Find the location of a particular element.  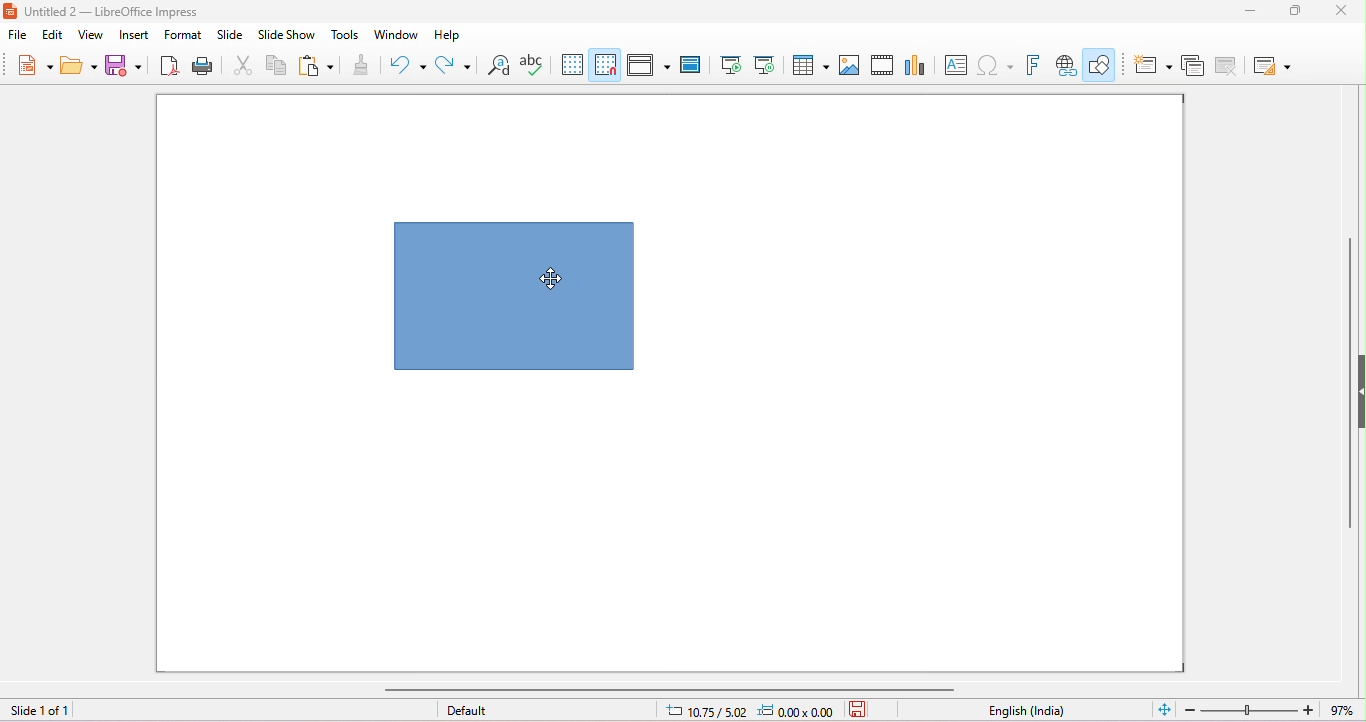

paste is located at coordinates (315, 63).